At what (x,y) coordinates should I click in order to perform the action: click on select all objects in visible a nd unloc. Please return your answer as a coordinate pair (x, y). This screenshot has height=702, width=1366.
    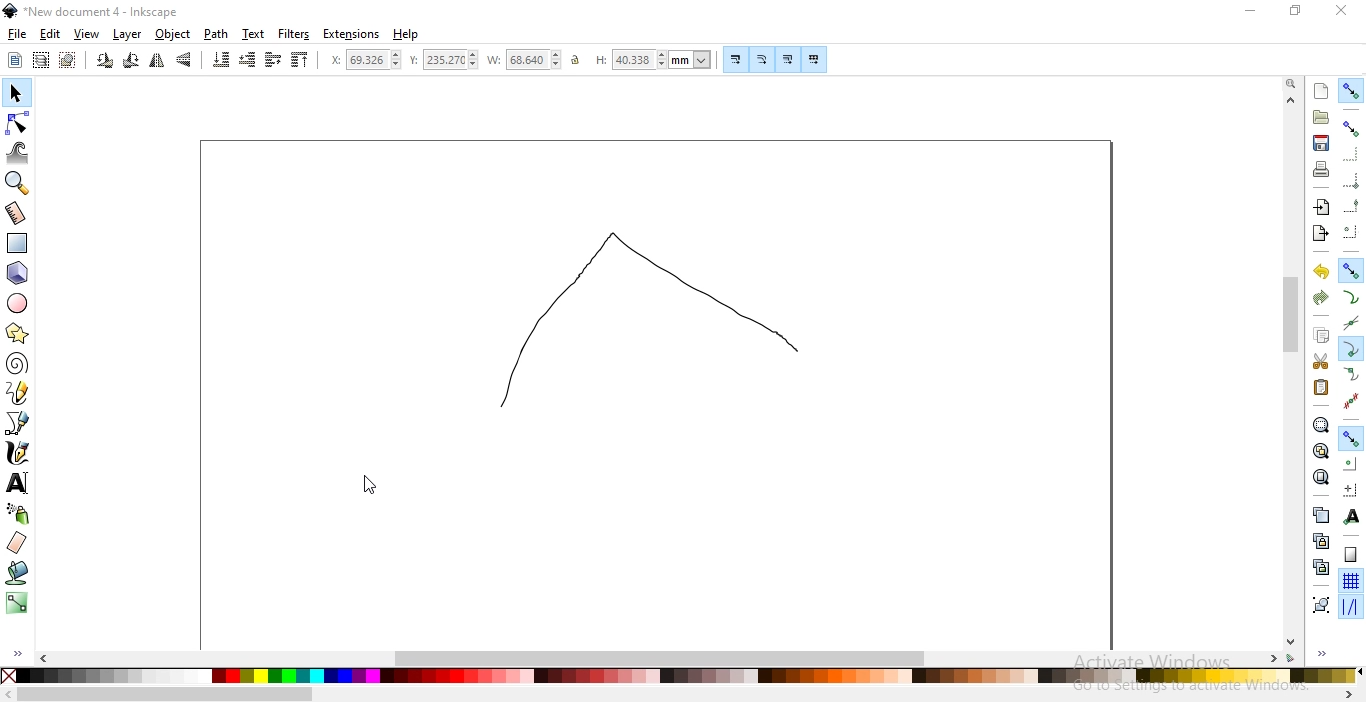
    Looking at the image, I should click on (40, 60).